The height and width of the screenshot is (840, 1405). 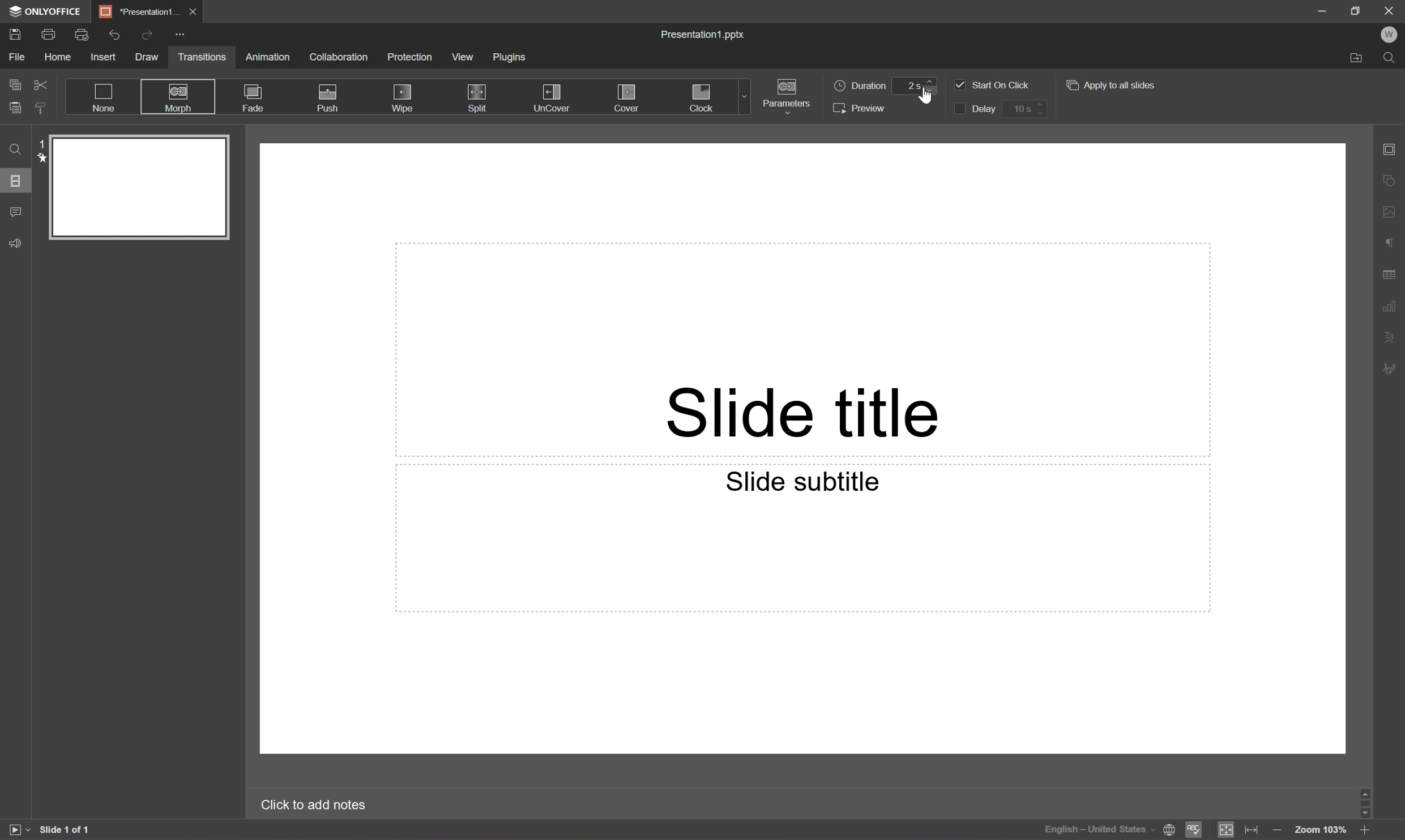 What do you see at coordinates (916, 85) in the screenshot?
I see `2s` at bounding box center [916, 85].